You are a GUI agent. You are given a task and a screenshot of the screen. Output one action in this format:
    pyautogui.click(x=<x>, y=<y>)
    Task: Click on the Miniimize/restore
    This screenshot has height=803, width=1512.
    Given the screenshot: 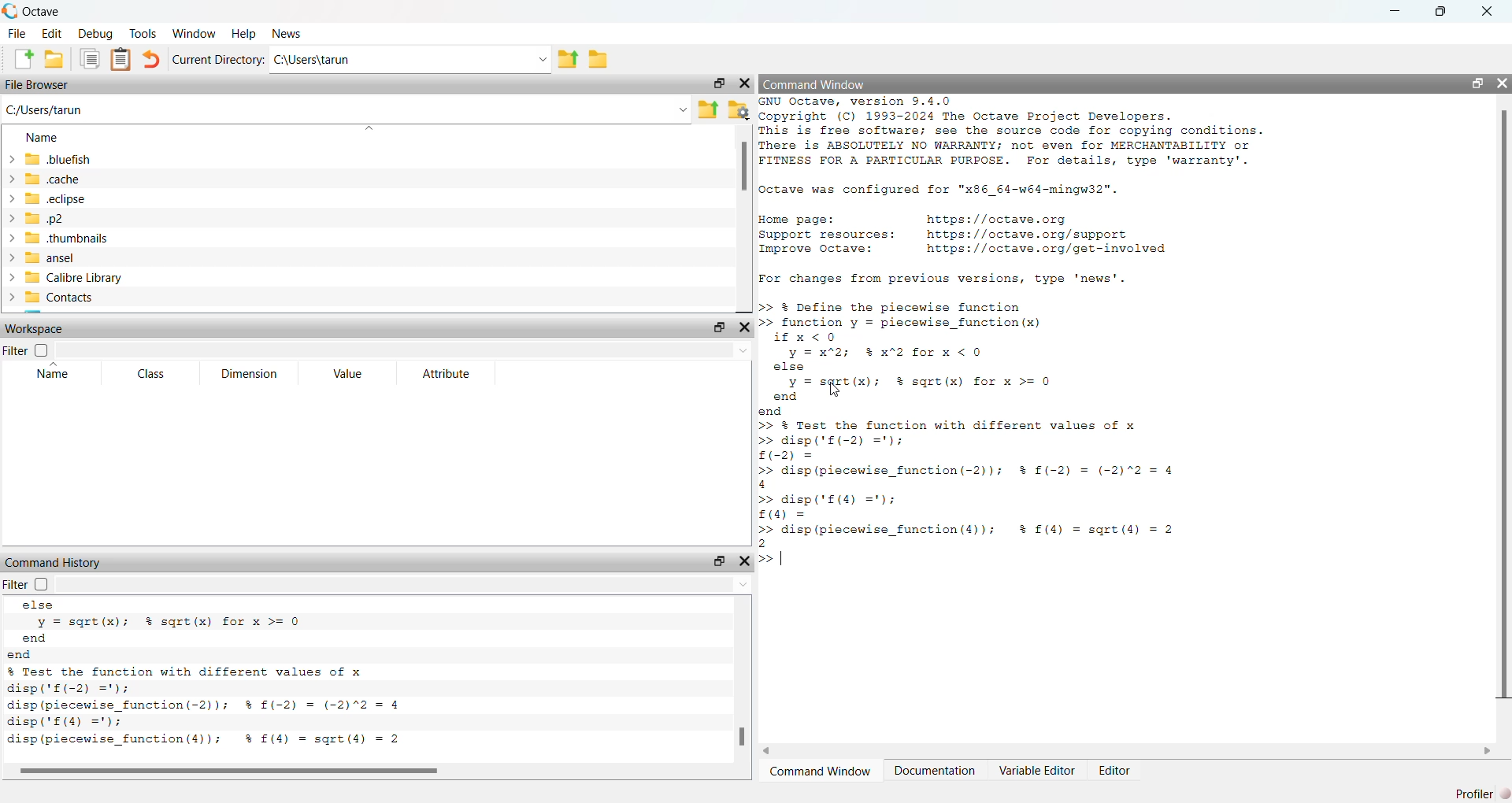 What is the action you would take?
    pyautogui.click(x=715, y=83)
    